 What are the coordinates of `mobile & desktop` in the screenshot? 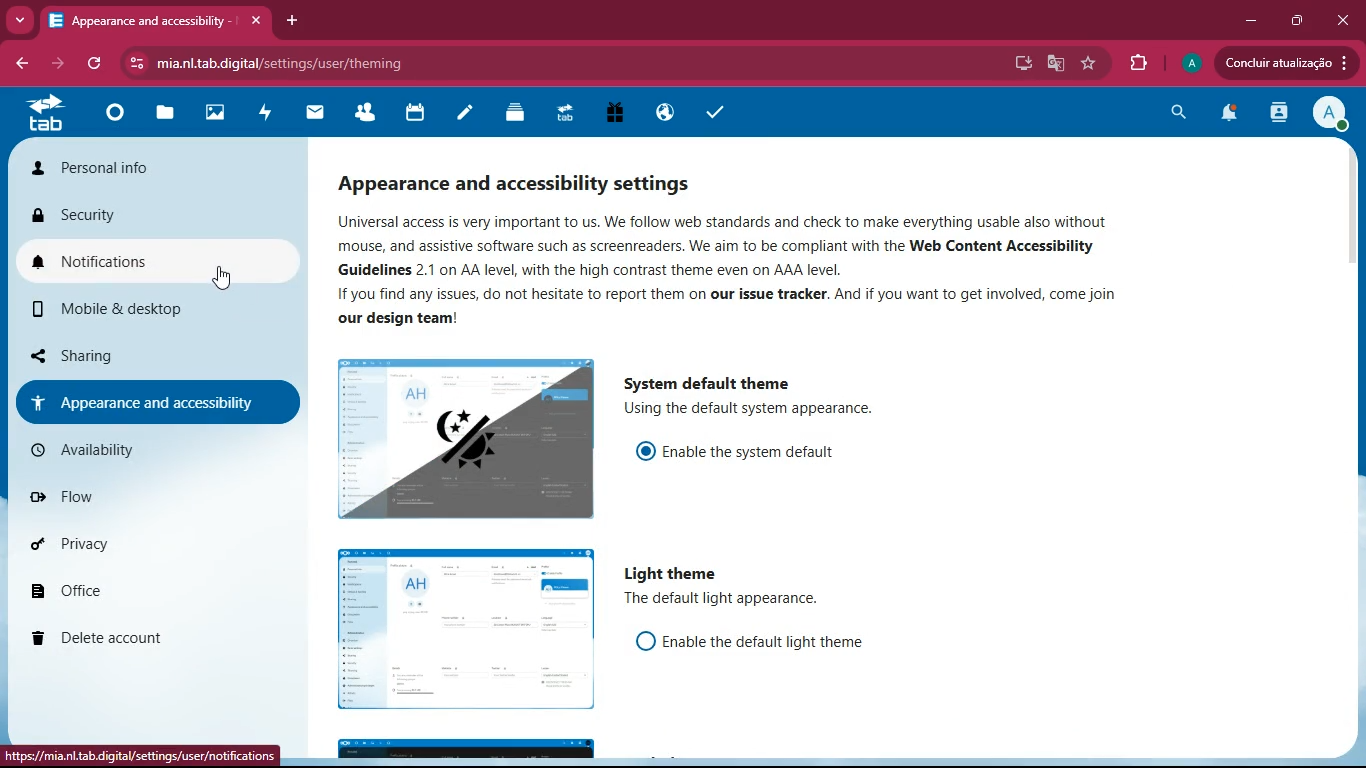 It's located at (142, 311).